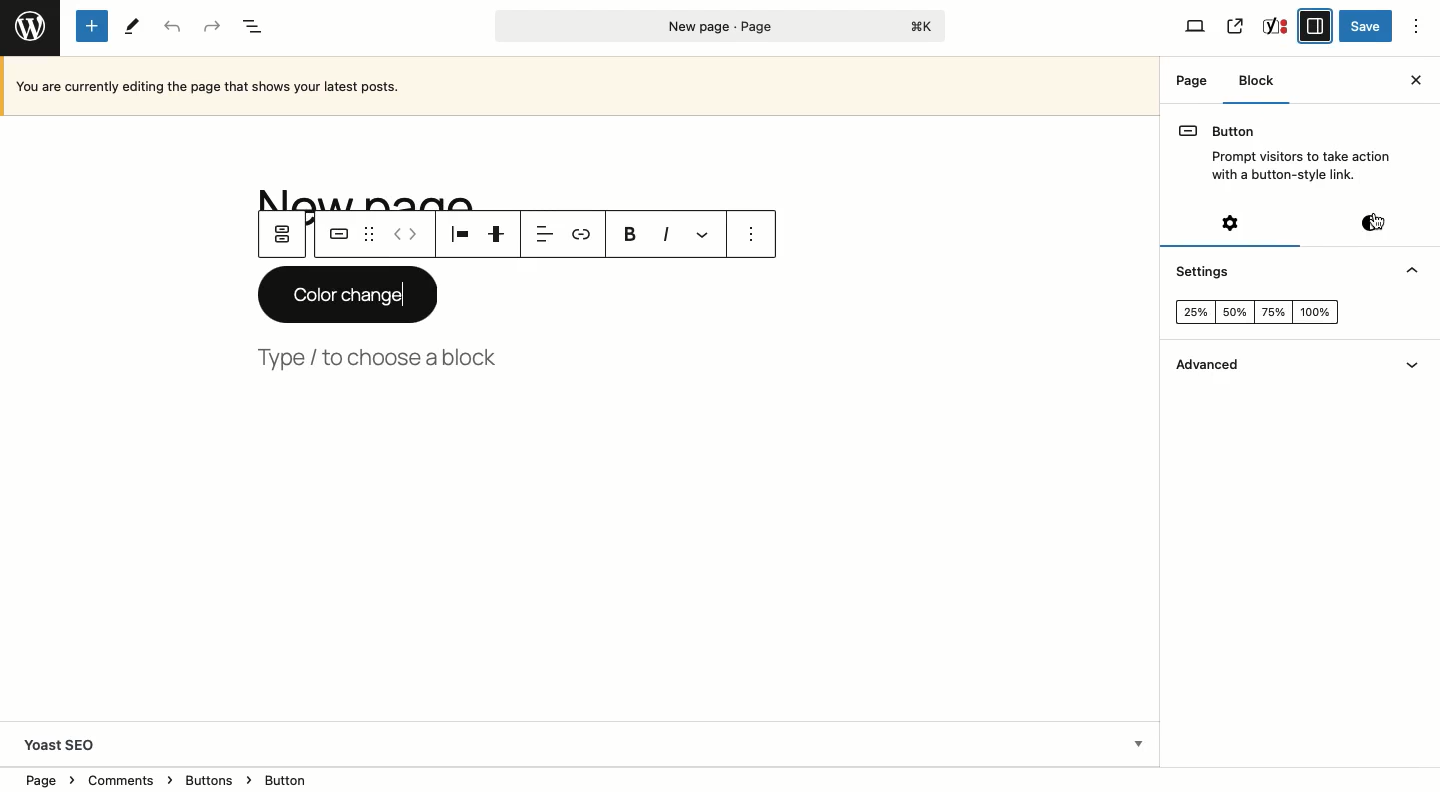  I want to click on Block, so click(1257, 87).